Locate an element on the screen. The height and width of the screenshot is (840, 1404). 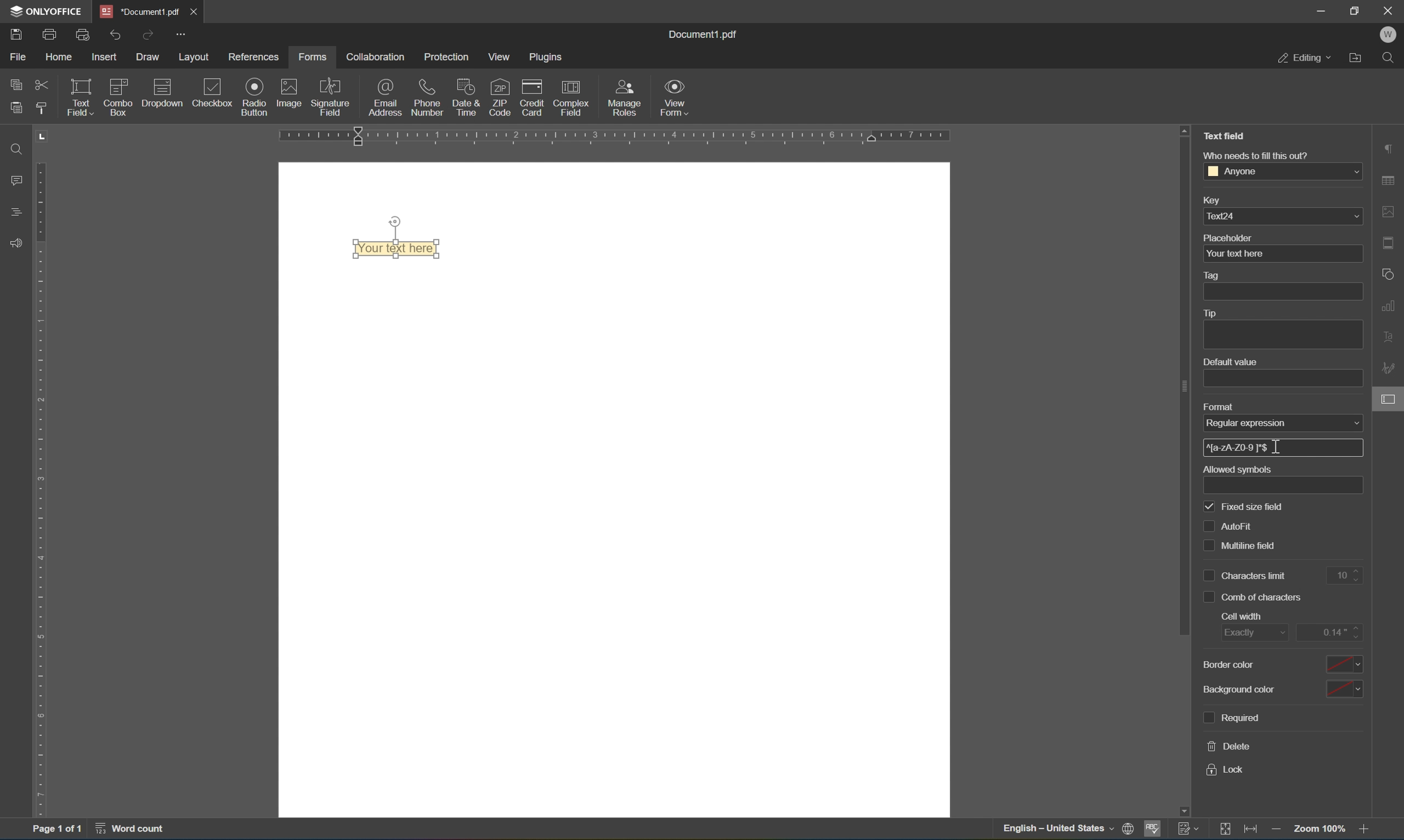
radio button is located at coordinates (256, 96).